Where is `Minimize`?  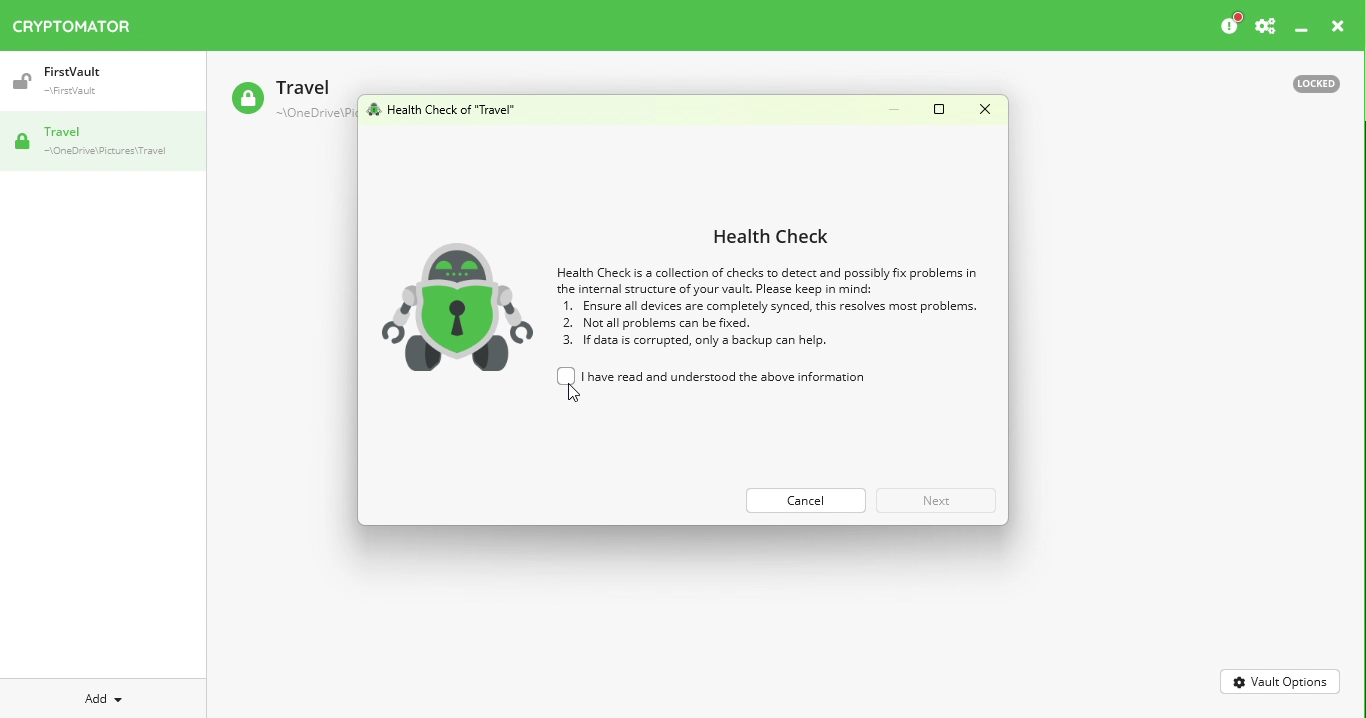
Minimize is located at coordinates (1304, 30).